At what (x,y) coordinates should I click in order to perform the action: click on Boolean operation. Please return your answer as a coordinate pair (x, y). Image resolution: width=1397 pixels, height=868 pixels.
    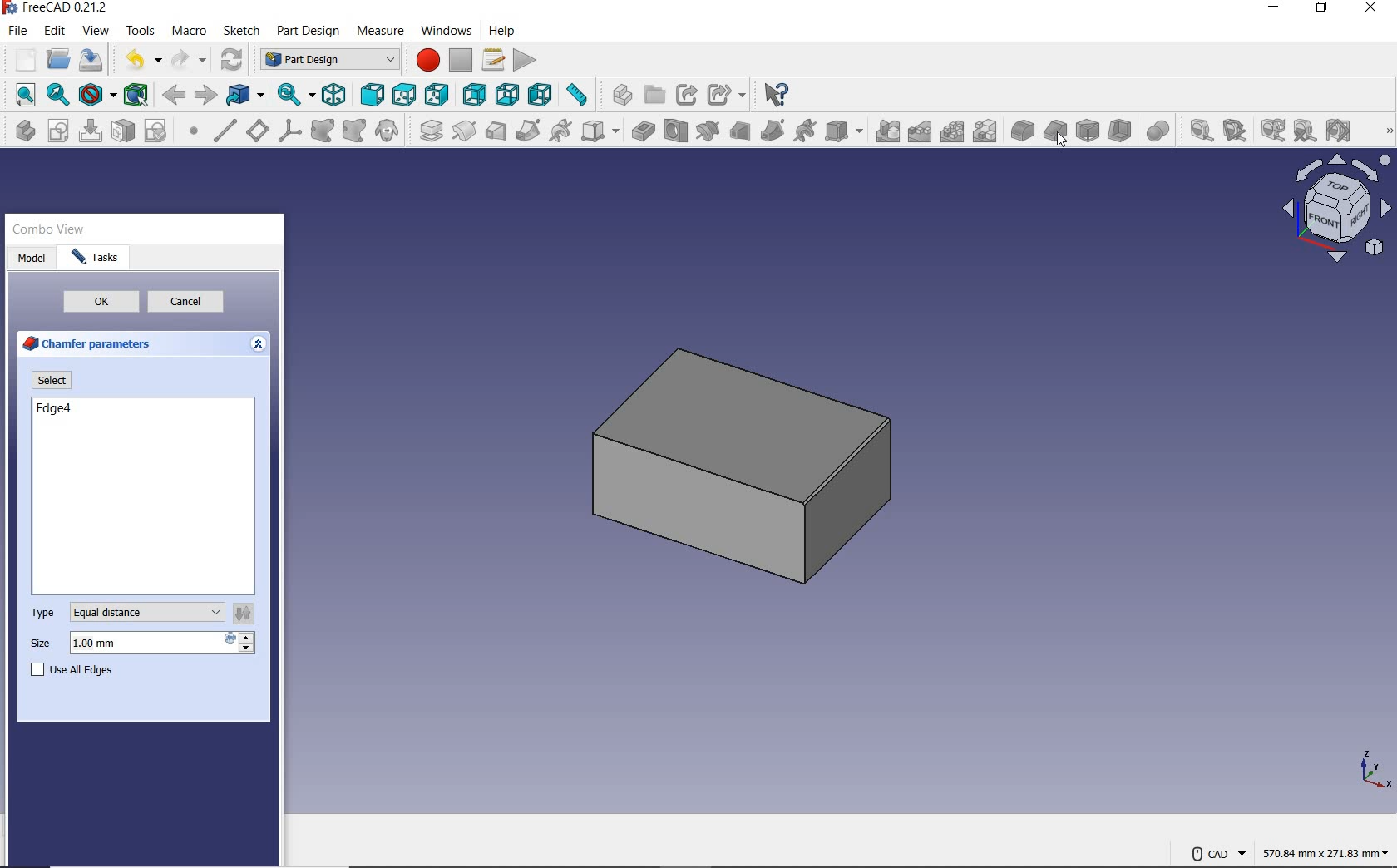
    Looking at the image, I should click on (1158, 131).